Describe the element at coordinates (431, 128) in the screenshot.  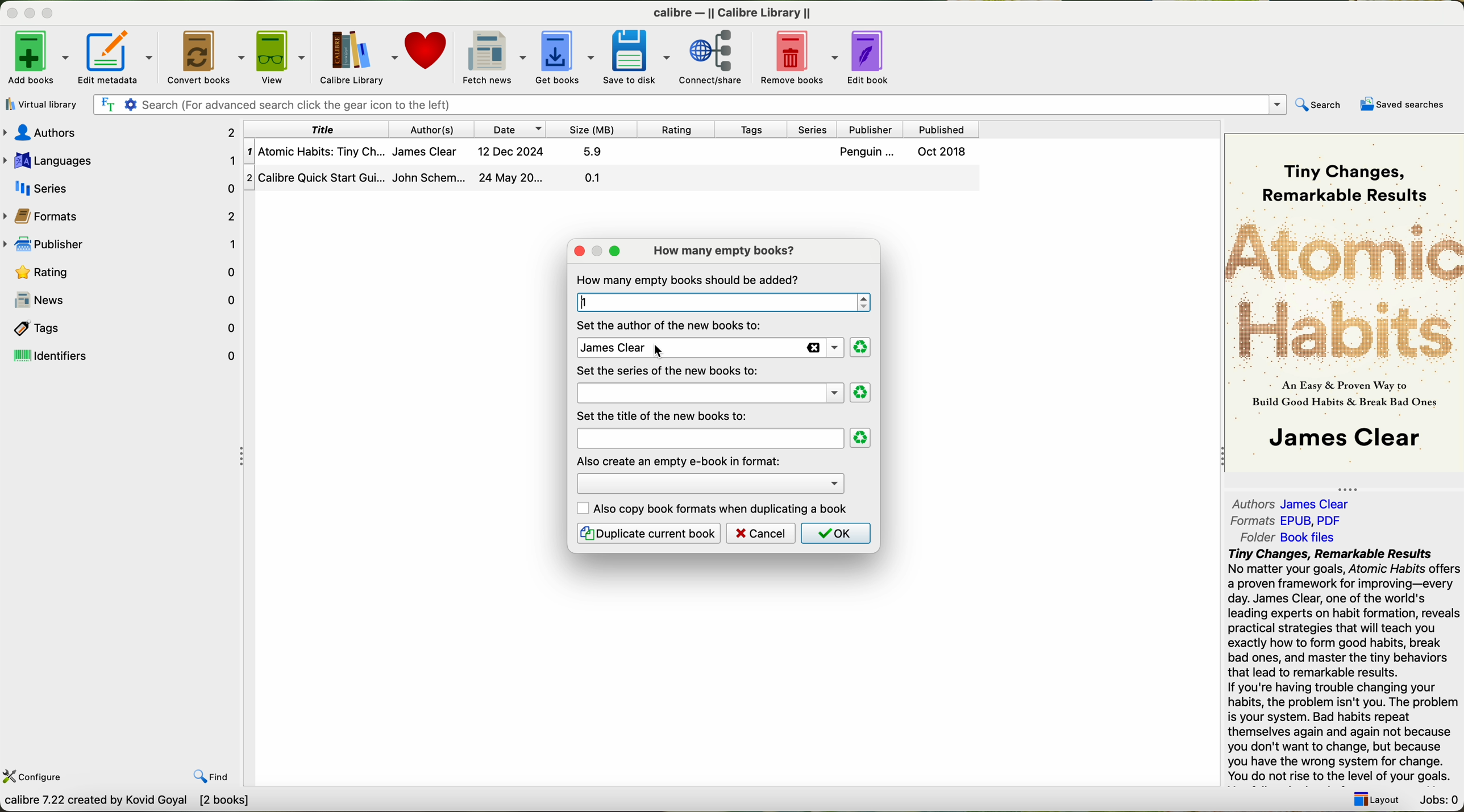
I see `authors` at that location.